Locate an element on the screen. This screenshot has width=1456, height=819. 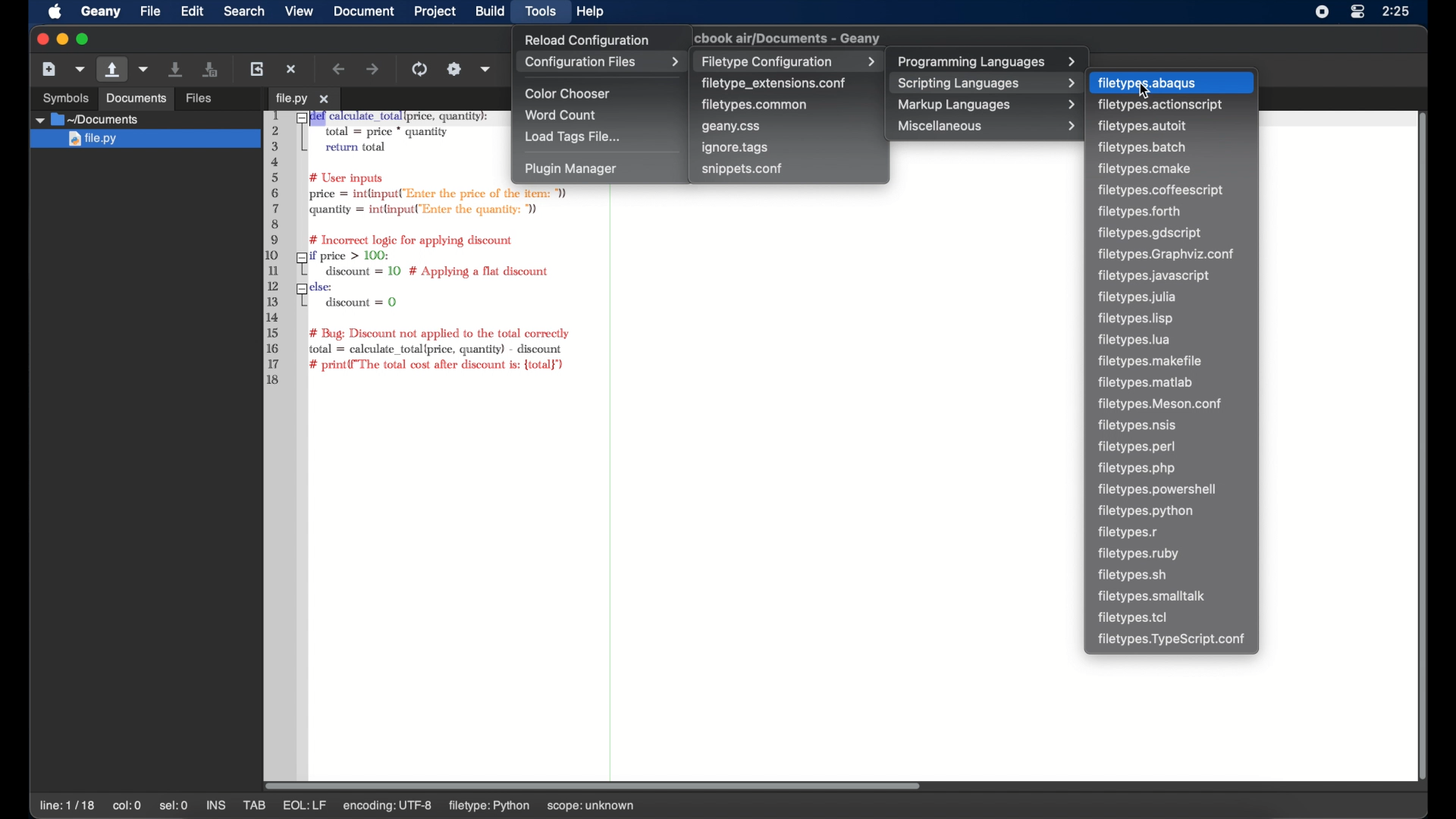
filetypes is located at coordinates (1134, 340).